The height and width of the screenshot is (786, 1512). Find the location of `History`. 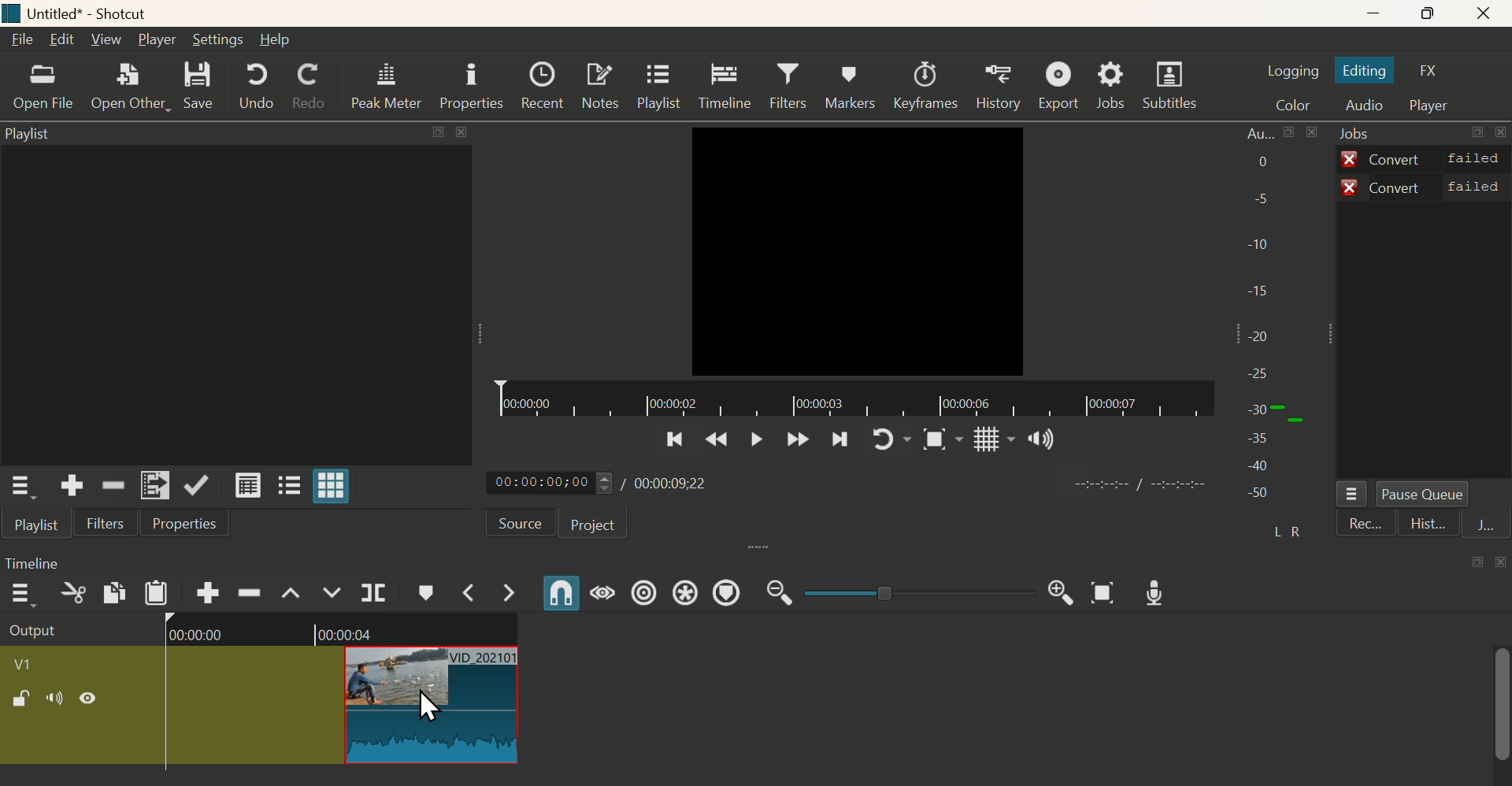

History is located at coordinates (999, 87).